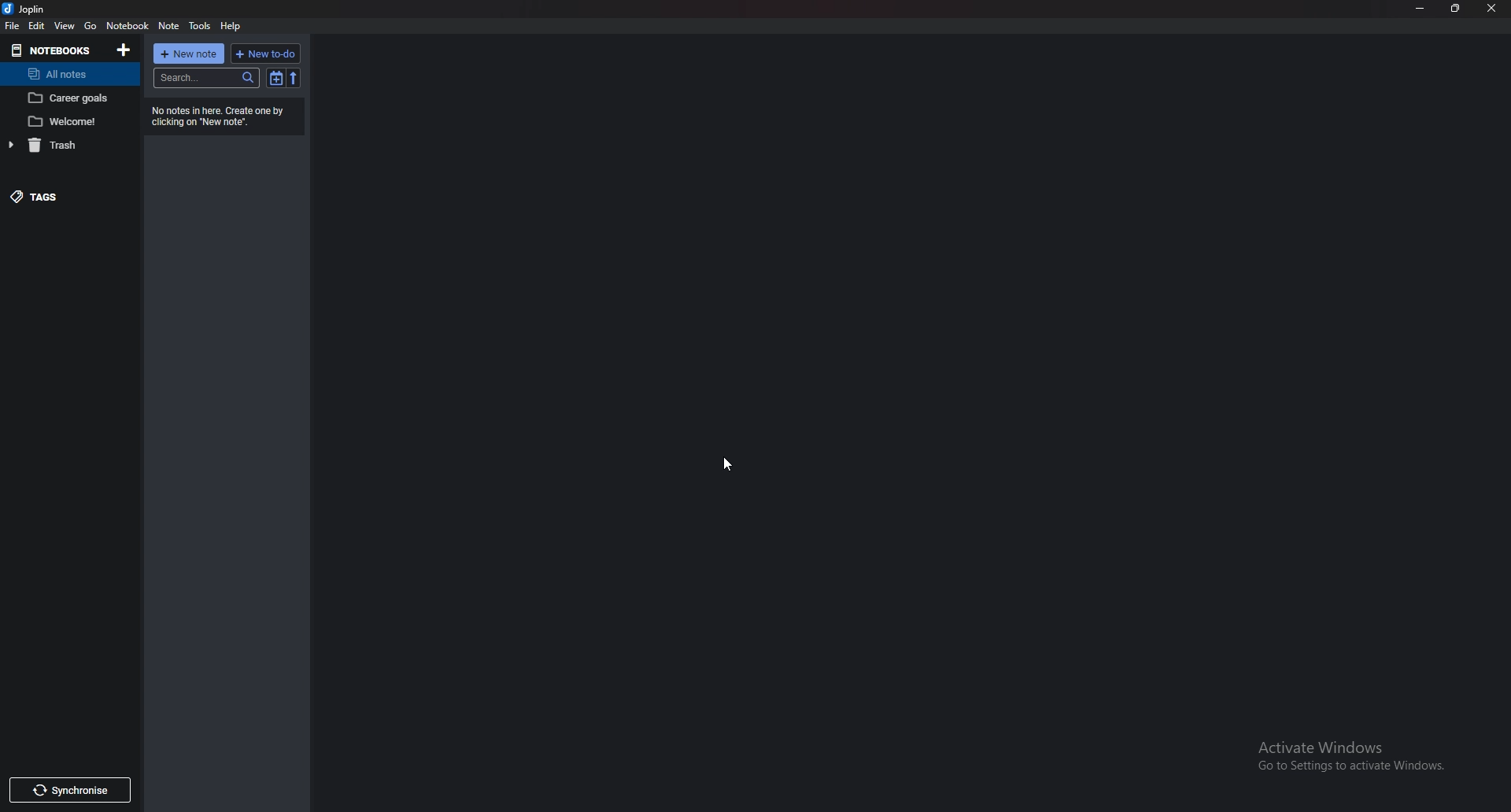 The height and width of the screenshot is (812, 1511). What do you see at coordinates (27, 8) in the screenshot?
I see `joplin` at bounding box center [27, 8].